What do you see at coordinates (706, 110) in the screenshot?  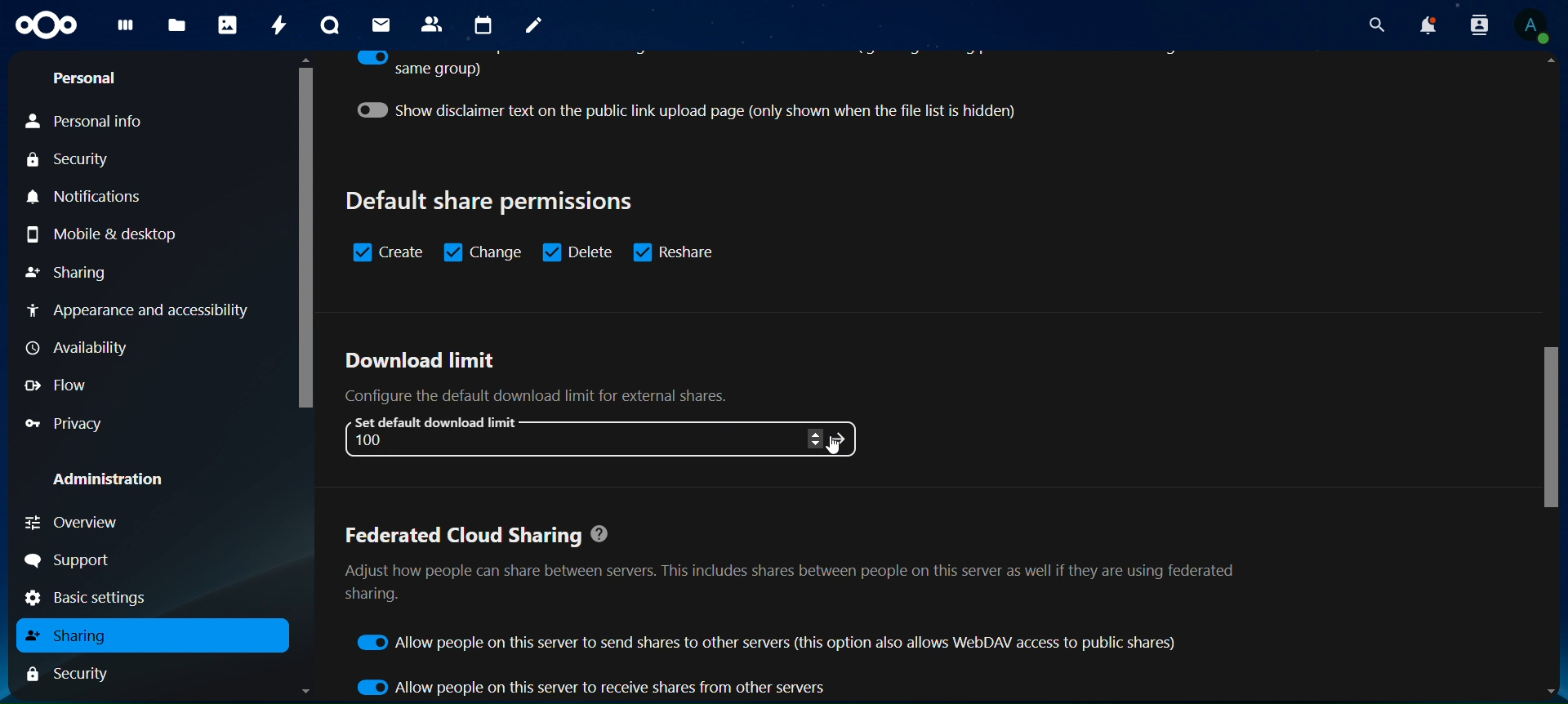 I see `show disclaimer text on the public link upload page` at bounding box center [706, 110].